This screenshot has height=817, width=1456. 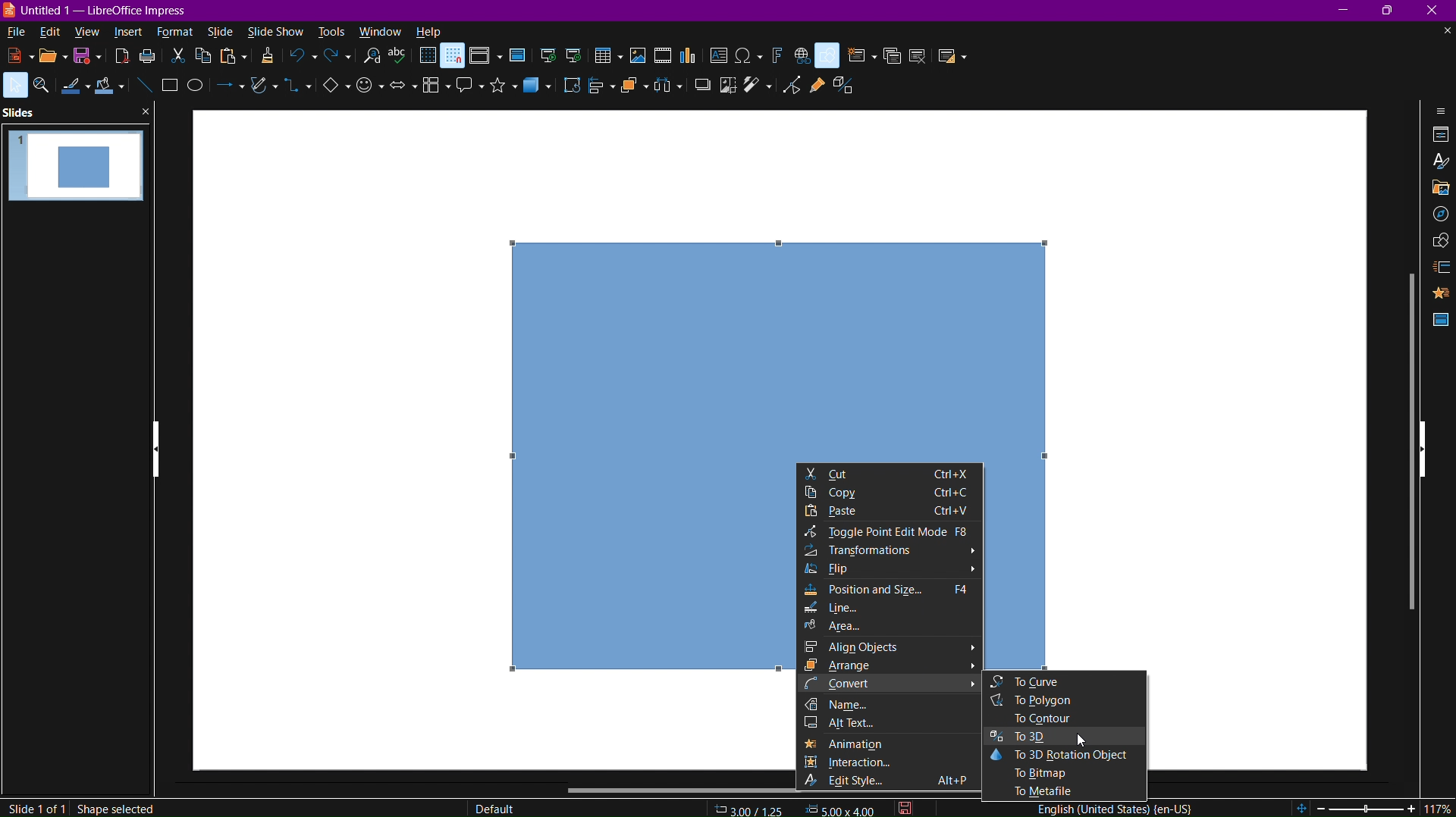 I want to click on view, so click(x=89, y=33).